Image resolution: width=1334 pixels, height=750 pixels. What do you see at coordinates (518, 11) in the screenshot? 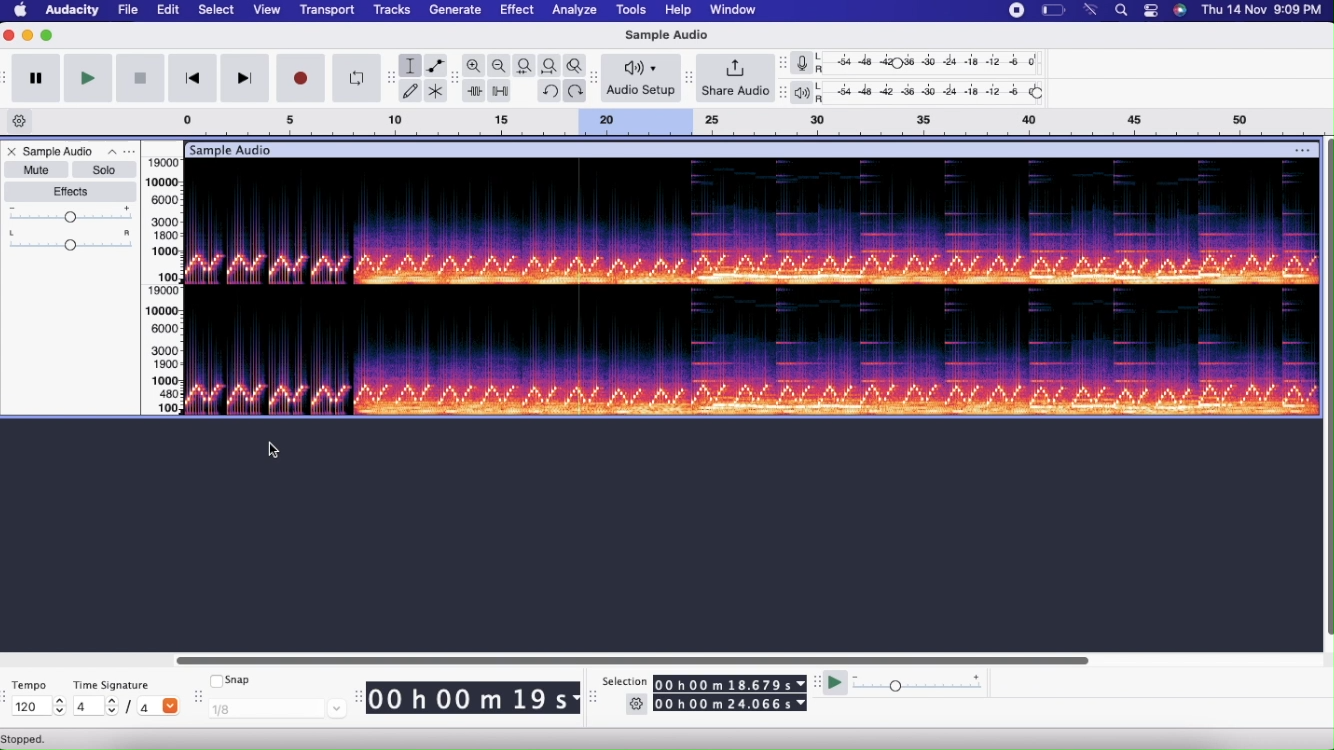
I see `Effect` at bounding box center [518, 11].